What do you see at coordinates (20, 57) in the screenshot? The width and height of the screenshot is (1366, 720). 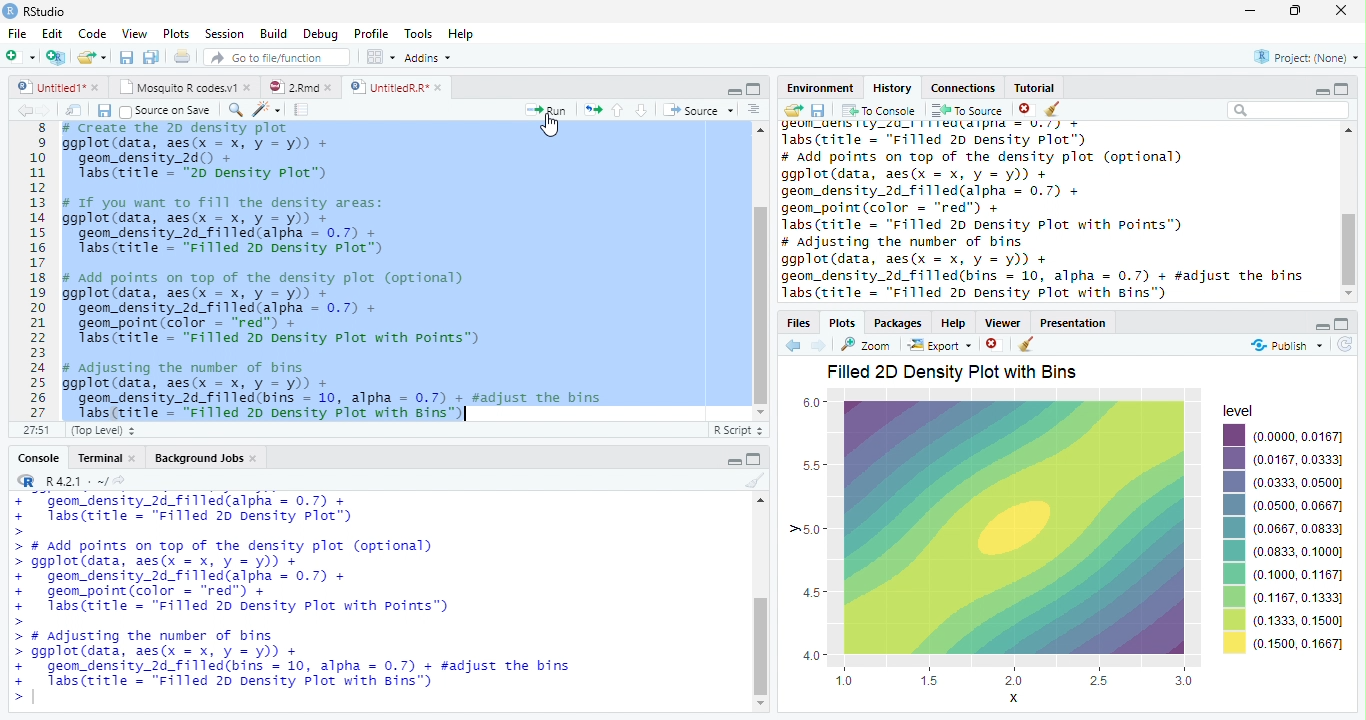 I see `New file` at bounding box center [20, 57].